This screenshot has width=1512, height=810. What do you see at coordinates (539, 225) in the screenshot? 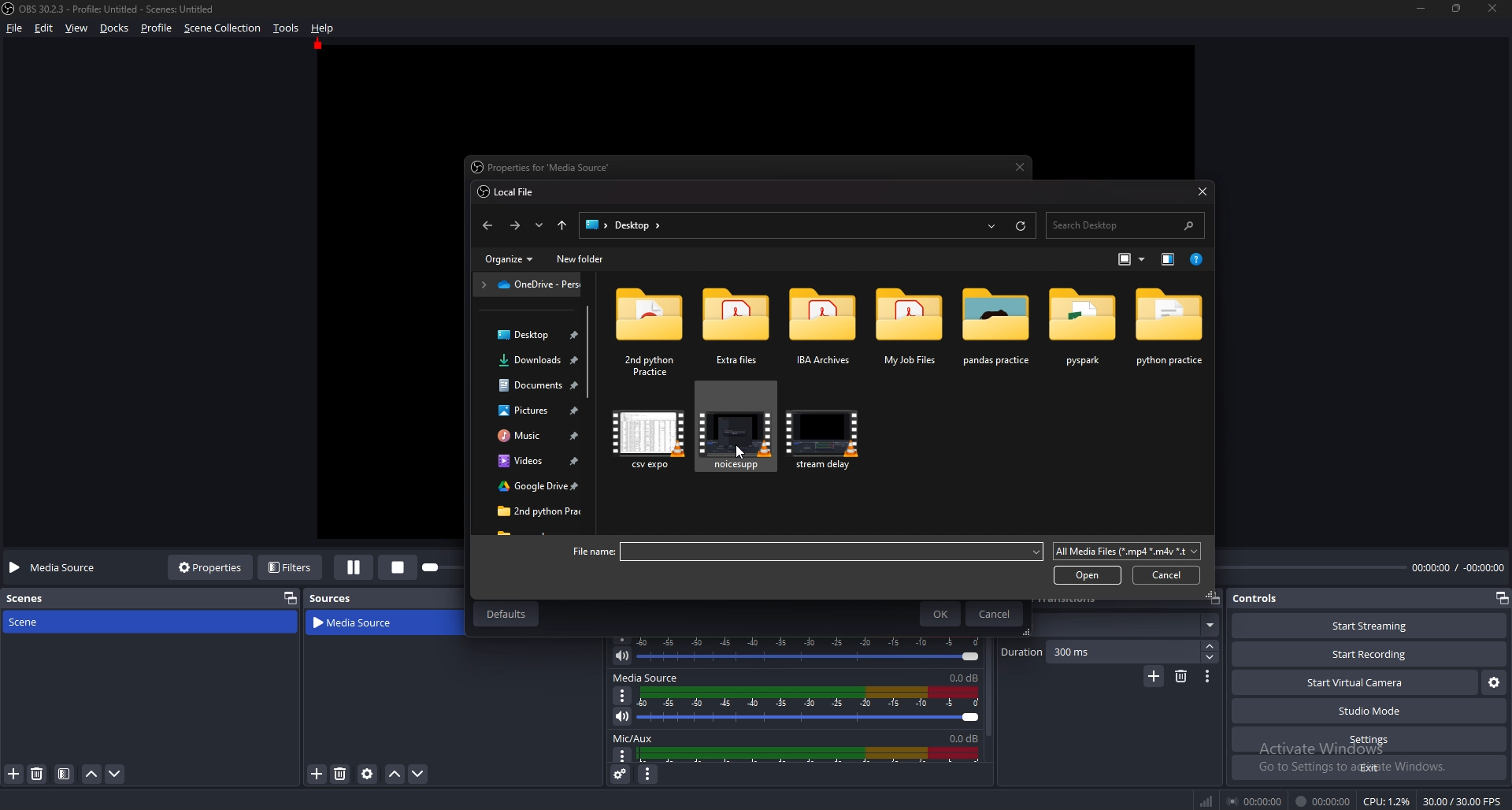
I see `recent` at bounding box center [539, 225].